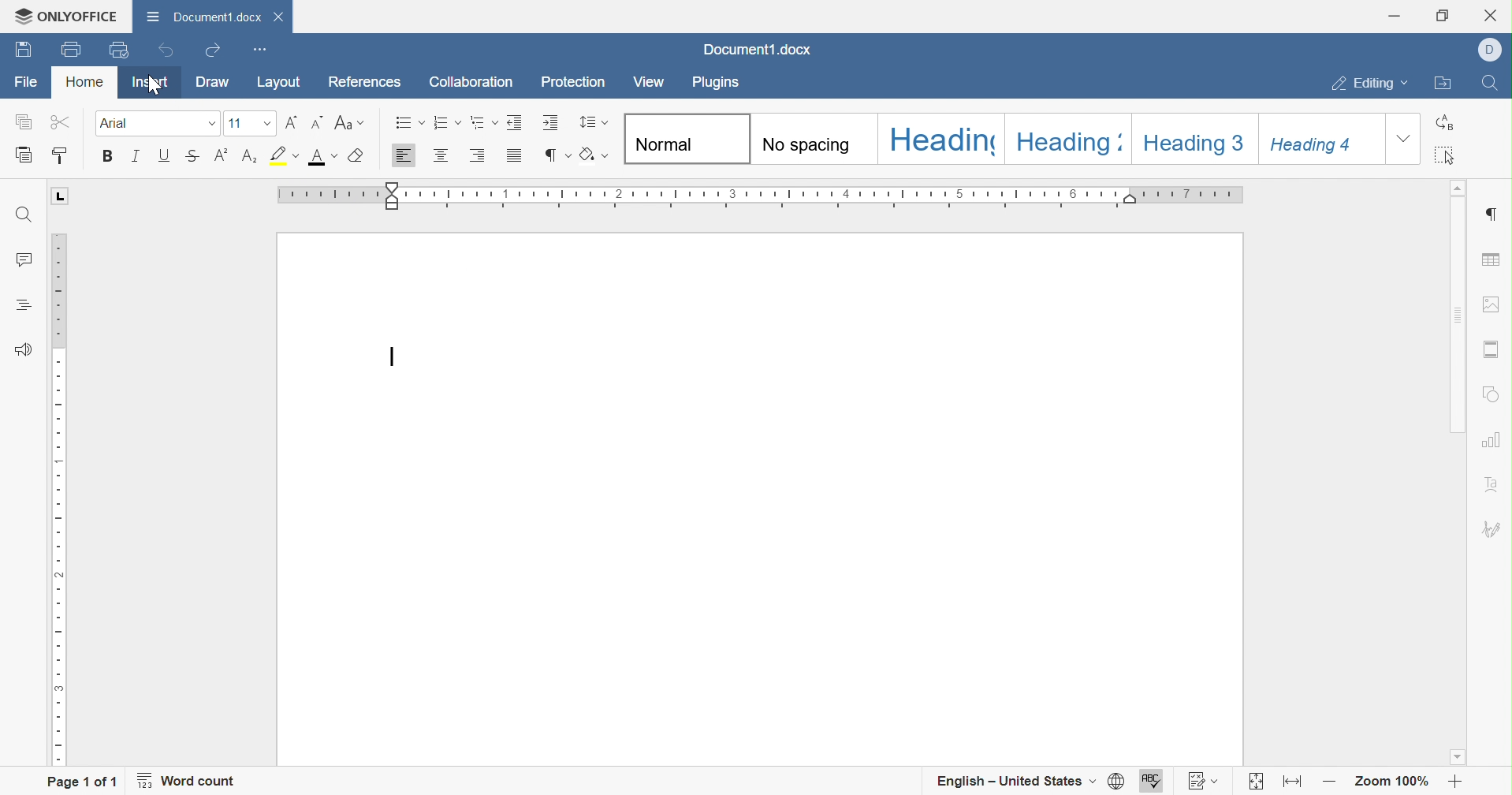  I want to click on Headers & Footers settings, so click(1491, 352).